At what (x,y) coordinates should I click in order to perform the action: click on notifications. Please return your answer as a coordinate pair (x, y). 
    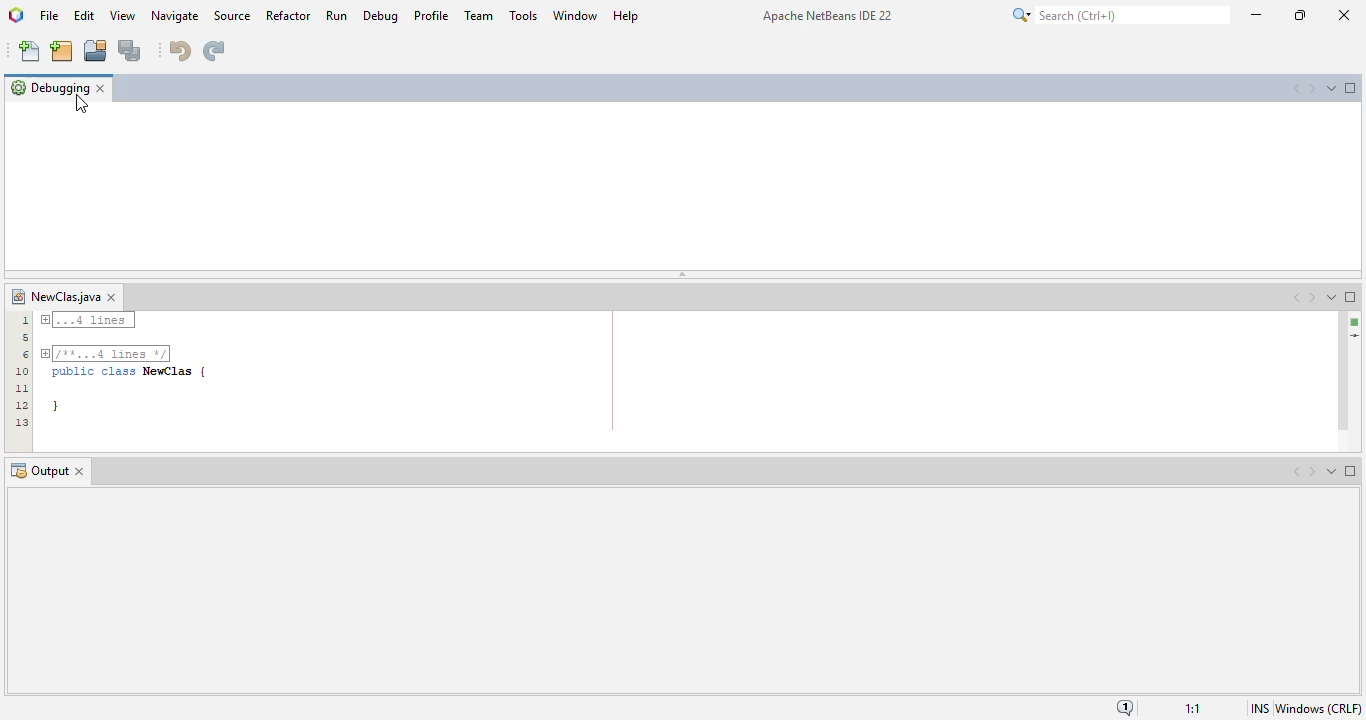
    Looking at the image, I should click on (1126, 707).